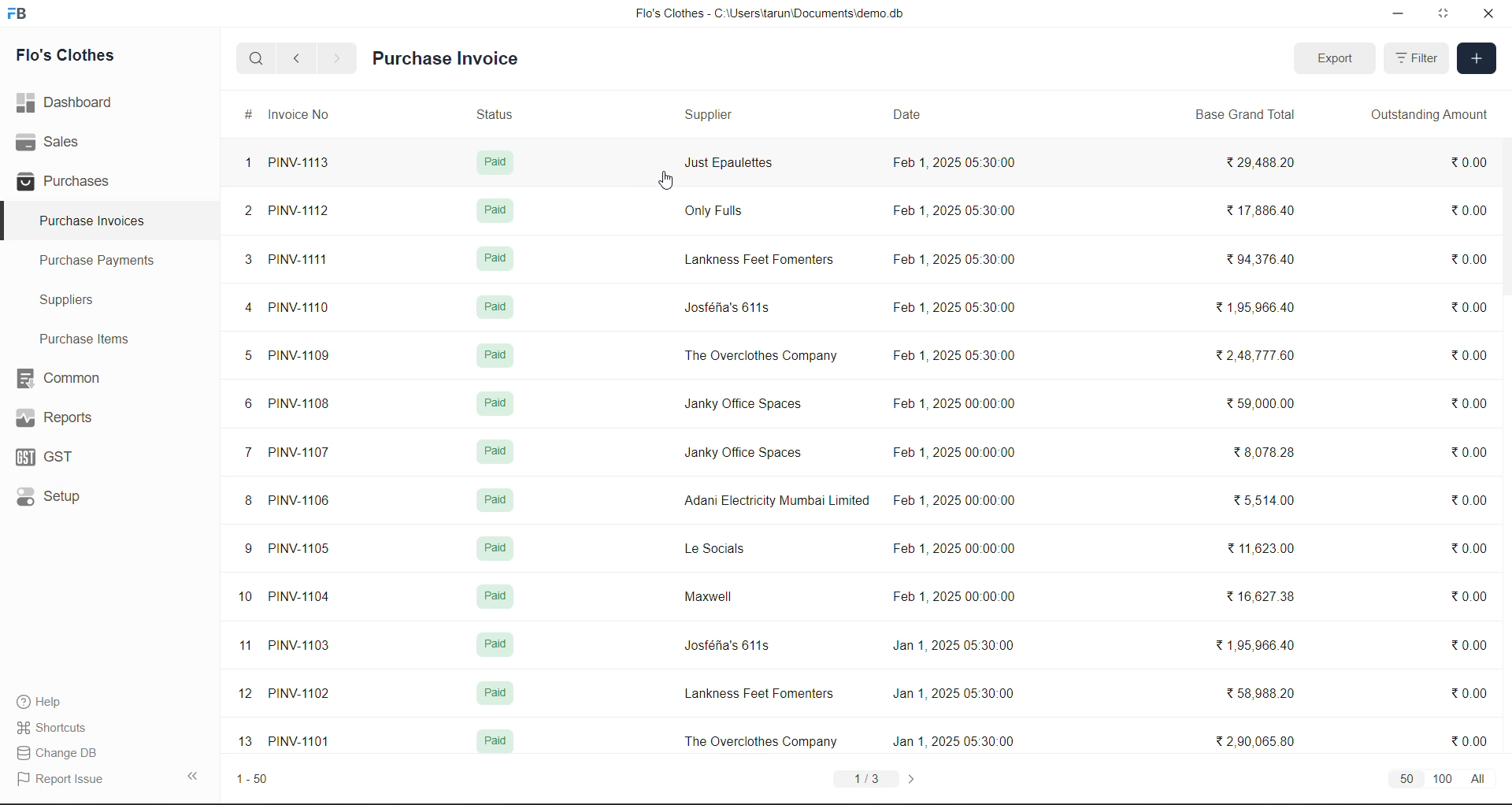 Image resolution: width=1512 pixels, height=805 pixels. I want to click on Common, so click(72, 377).